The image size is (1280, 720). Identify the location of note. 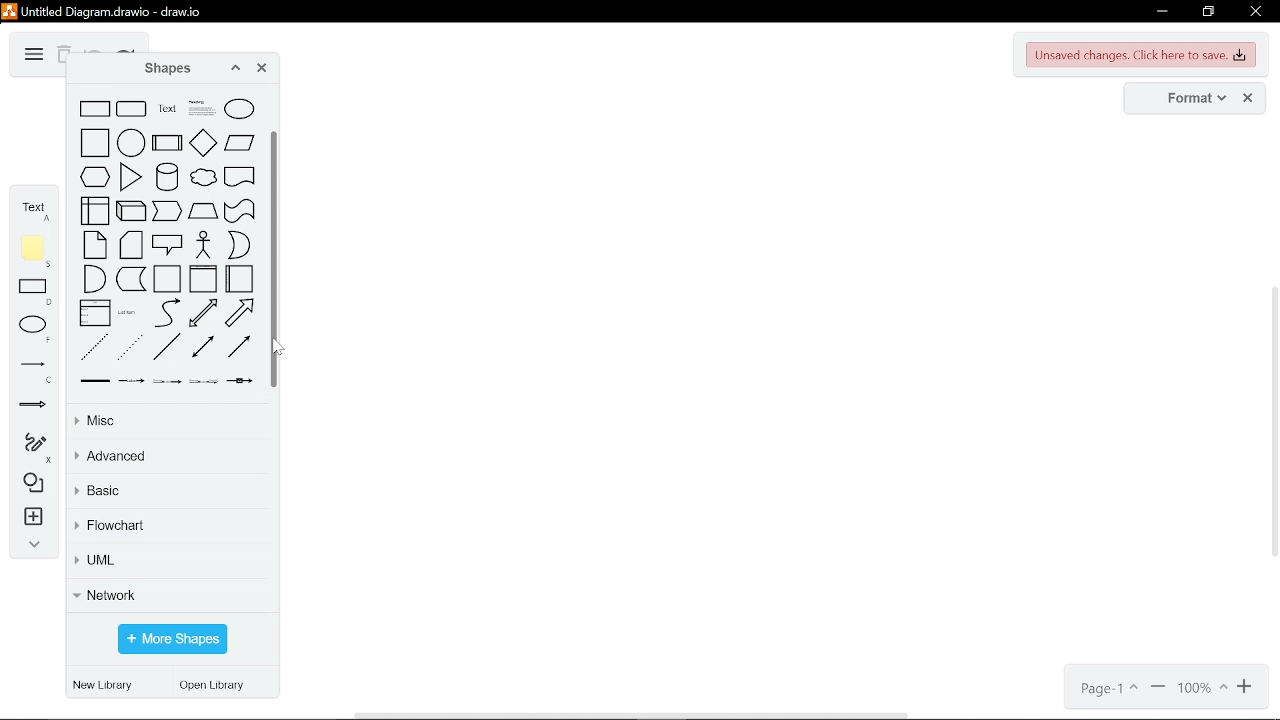
(36, 251).